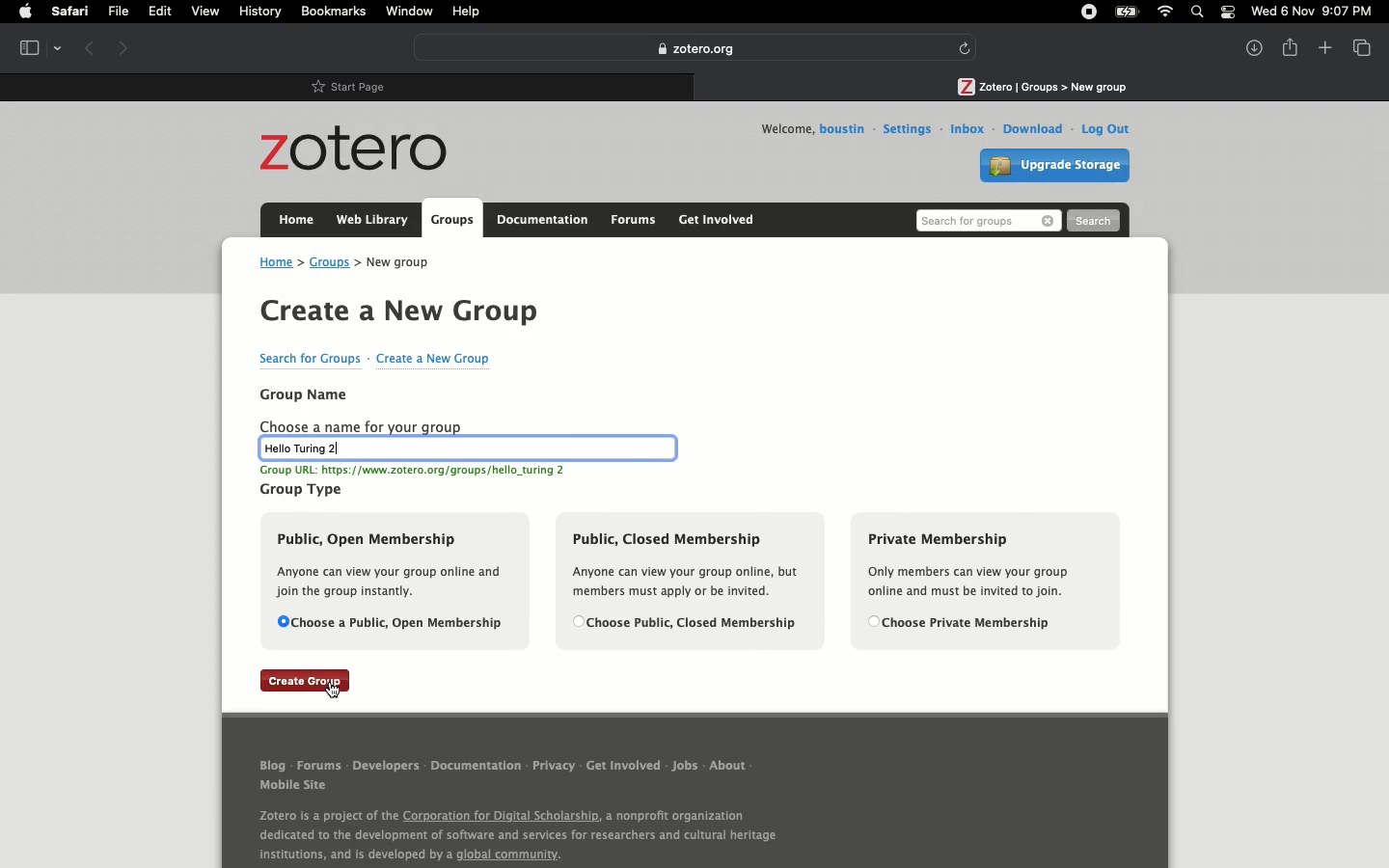 Image resolution: width=1389 pixels, height=868 pixels. What do you see at coordinates (1088, 14) in the screenshot?
I see `Recording` at bounding box center [1088, 14].